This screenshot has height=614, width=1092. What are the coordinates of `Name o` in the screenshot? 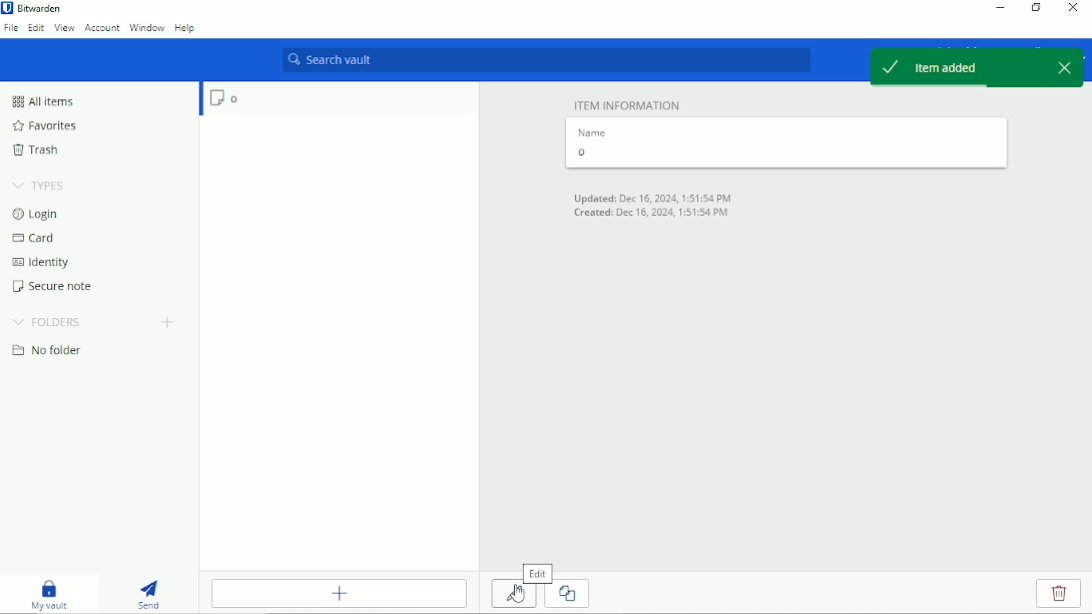 It's located at (593, 143).